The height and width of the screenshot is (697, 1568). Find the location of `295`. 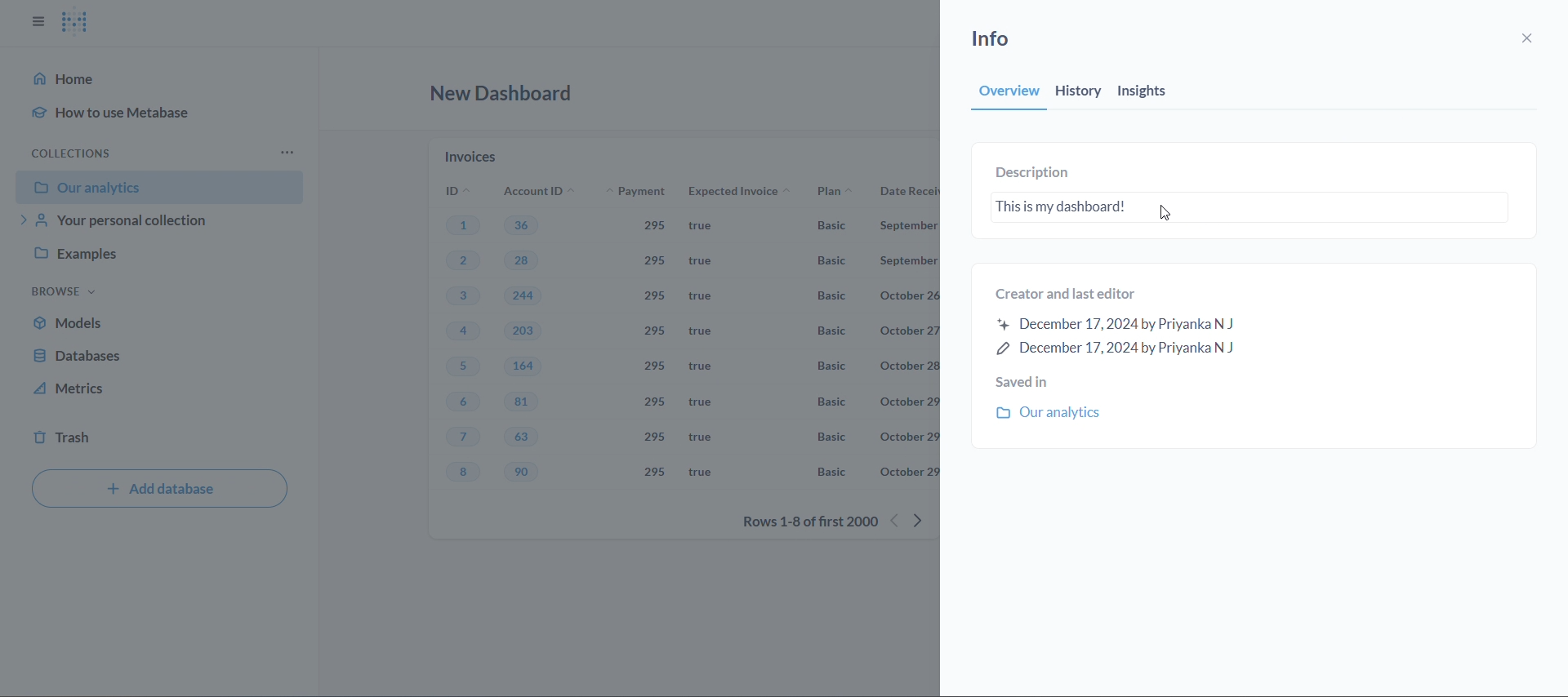

295 is located at coordinates (655, 332).